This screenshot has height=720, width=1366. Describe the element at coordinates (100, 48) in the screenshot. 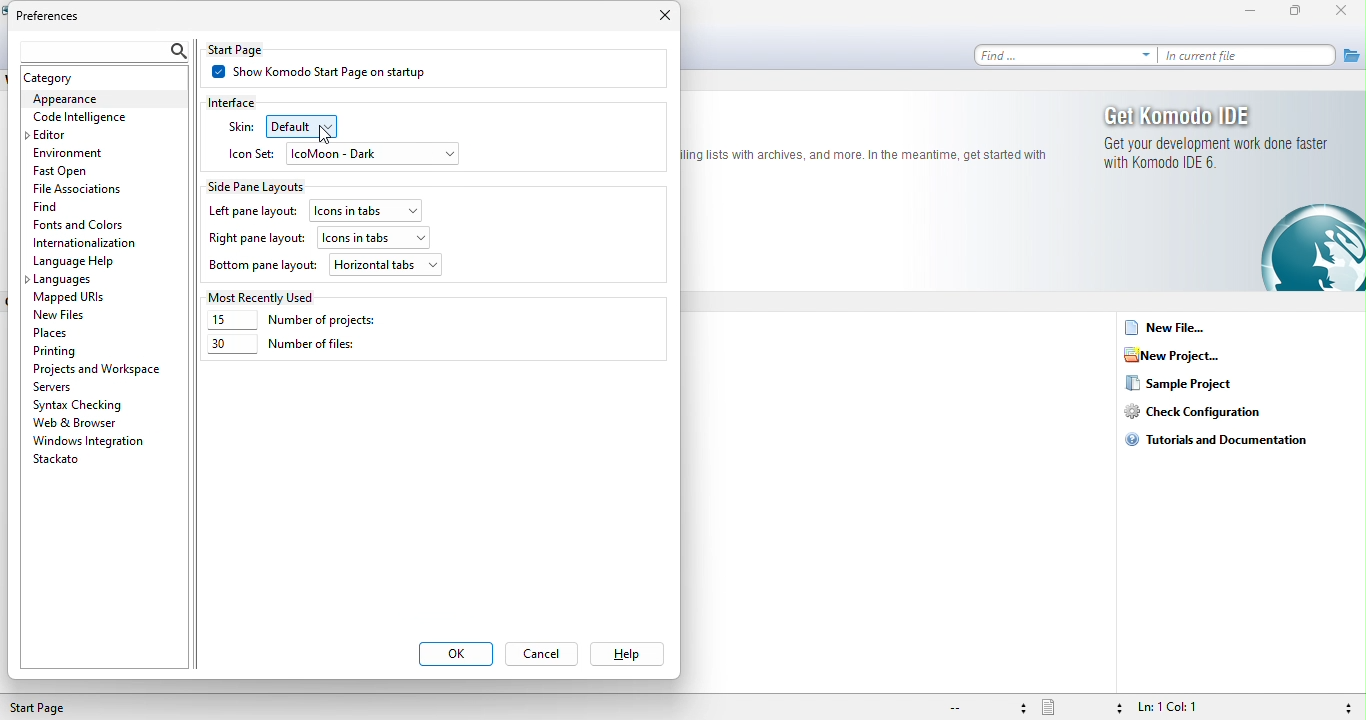

I see `search bar` at that location.